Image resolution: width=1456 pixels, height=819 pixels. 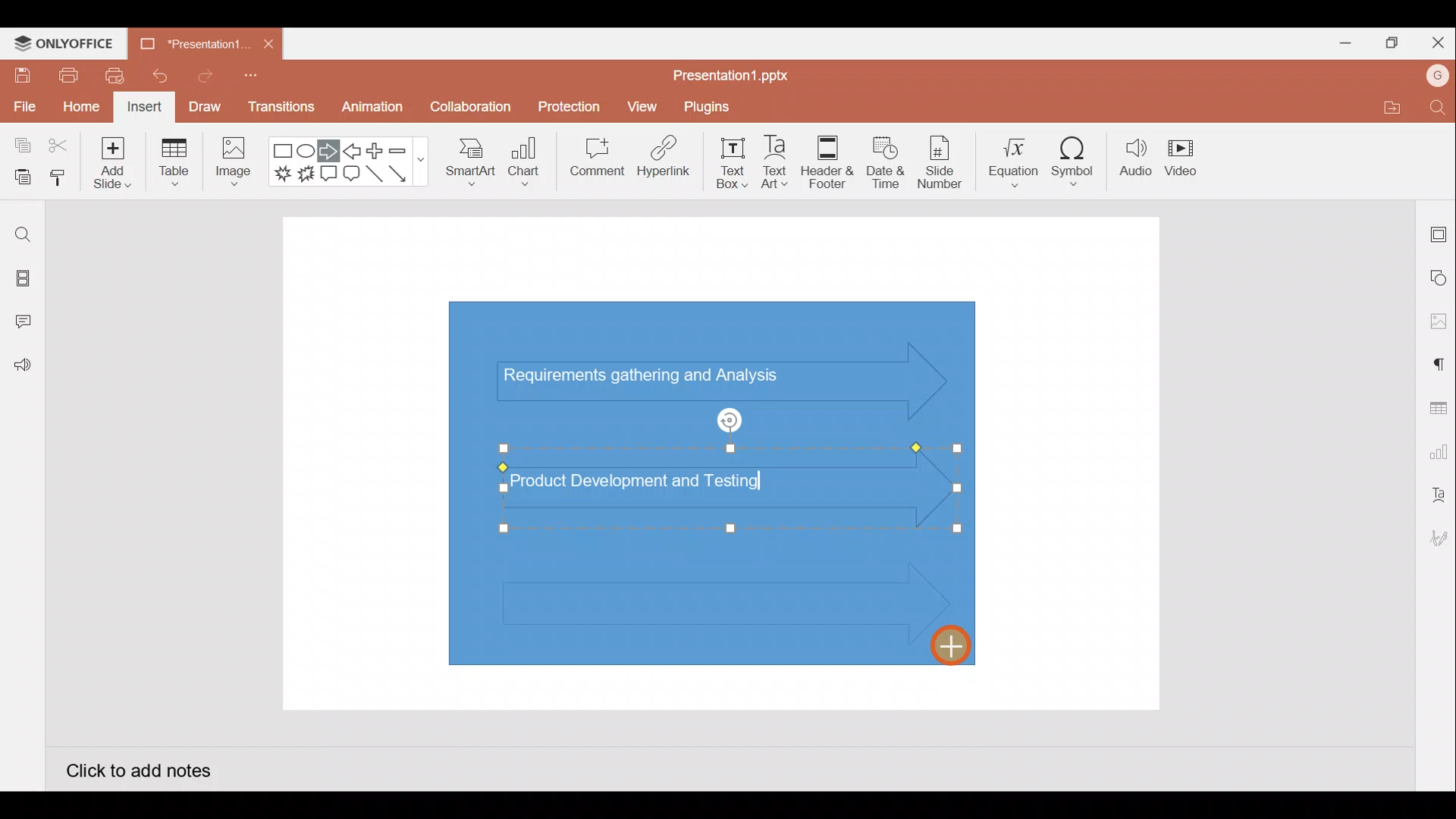 I want to click on Table settings, so click(x=1435, y=406).